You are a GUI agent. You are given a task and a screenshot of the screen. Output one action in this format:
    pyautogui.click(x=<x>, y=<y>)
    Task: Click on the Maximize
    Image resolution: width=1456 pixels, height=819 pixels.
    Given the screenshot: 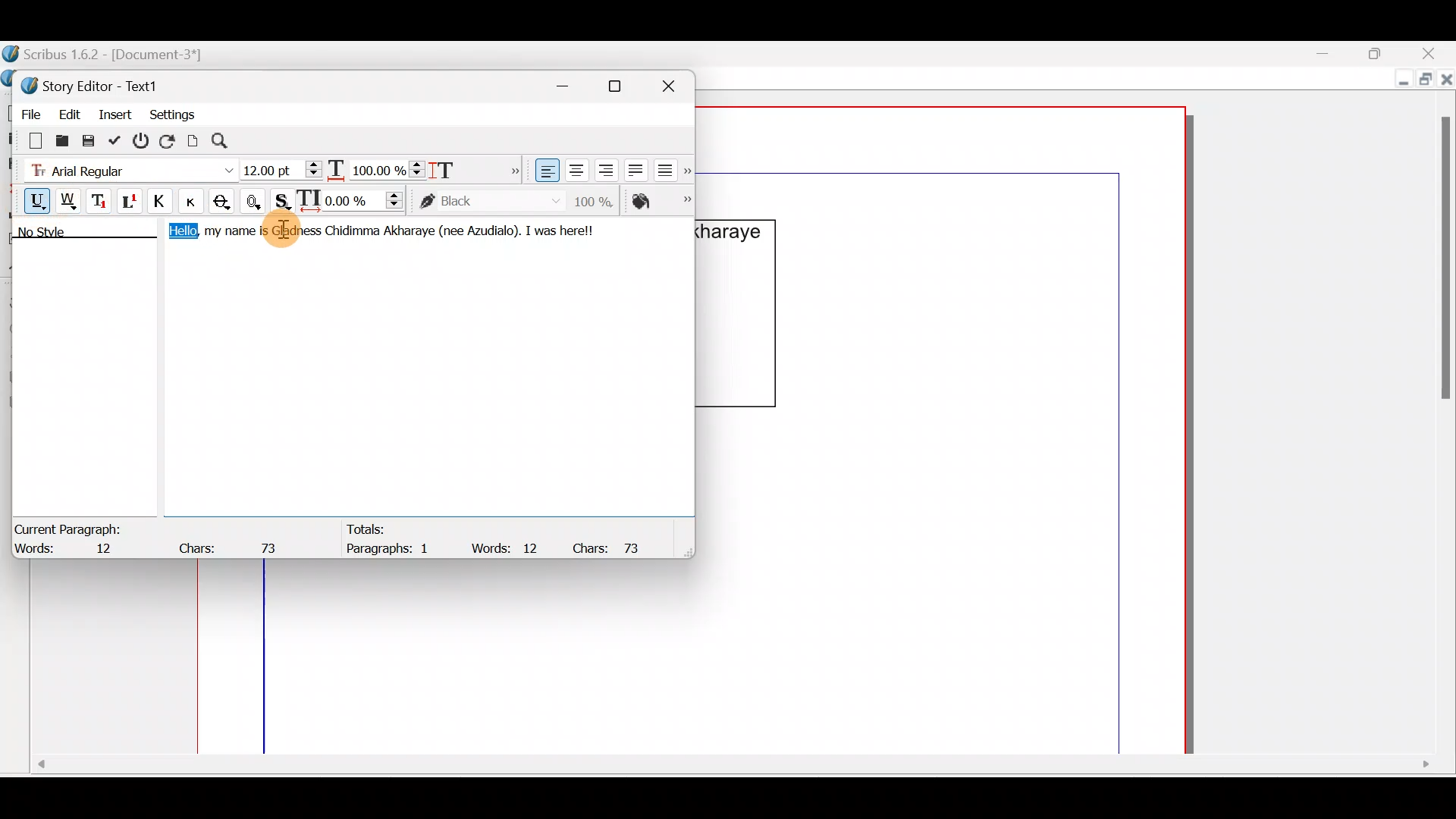 What is the action you would take?
    pyautogui.click(x=1423, y=81)
    